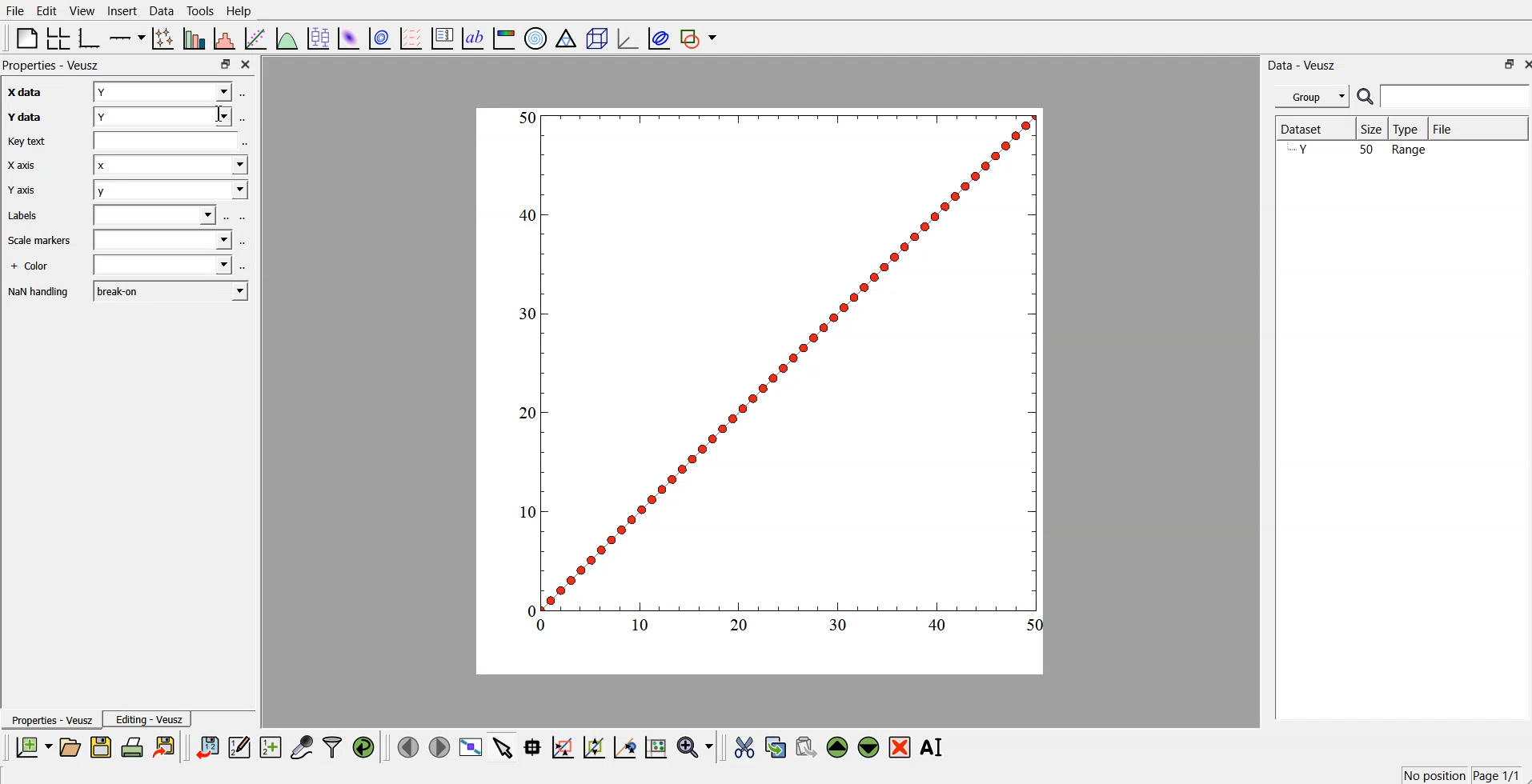 This screenshot has height=784, width=1532. I want to click on plot 2d datasets as contours, so click(380, 36).